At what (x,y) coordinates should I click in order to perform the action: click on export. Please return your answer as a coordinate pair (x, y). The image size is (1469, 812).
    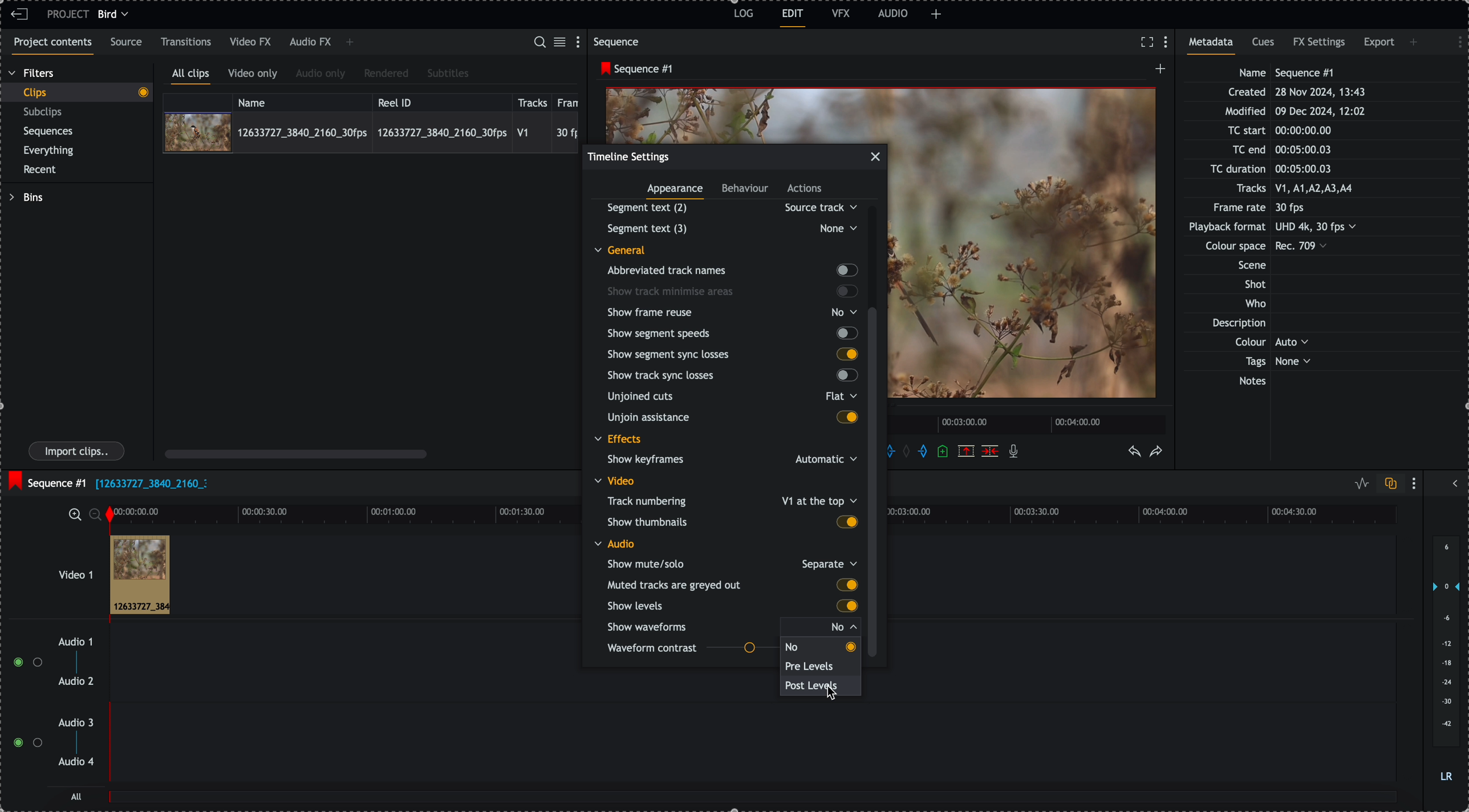
    Looking at the image, I should click on (1379, 44).